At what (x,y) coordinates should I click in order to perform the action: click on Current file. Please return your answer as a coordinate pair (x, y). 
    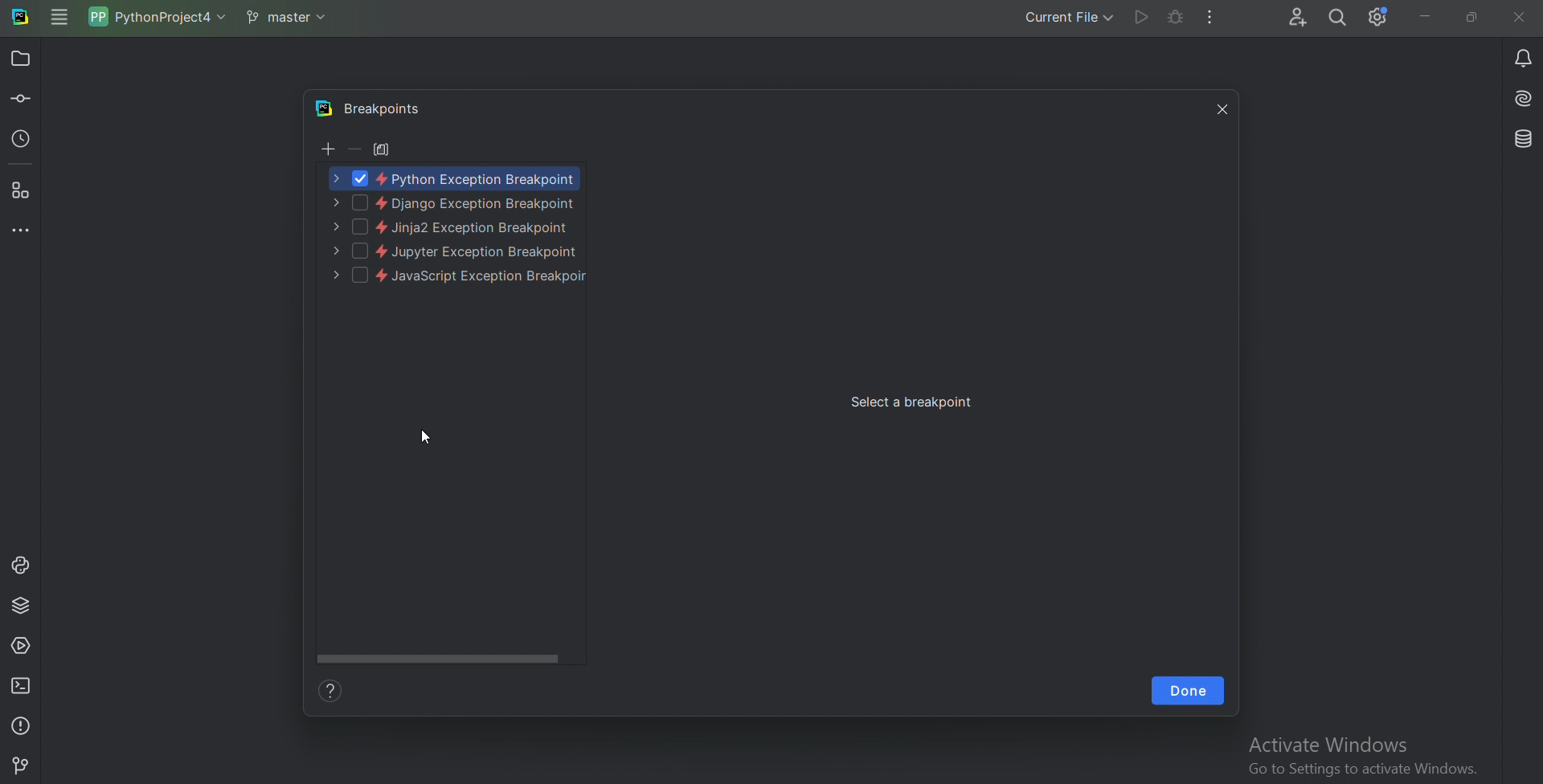
    Looking at the image, I should click on (1068, 19).